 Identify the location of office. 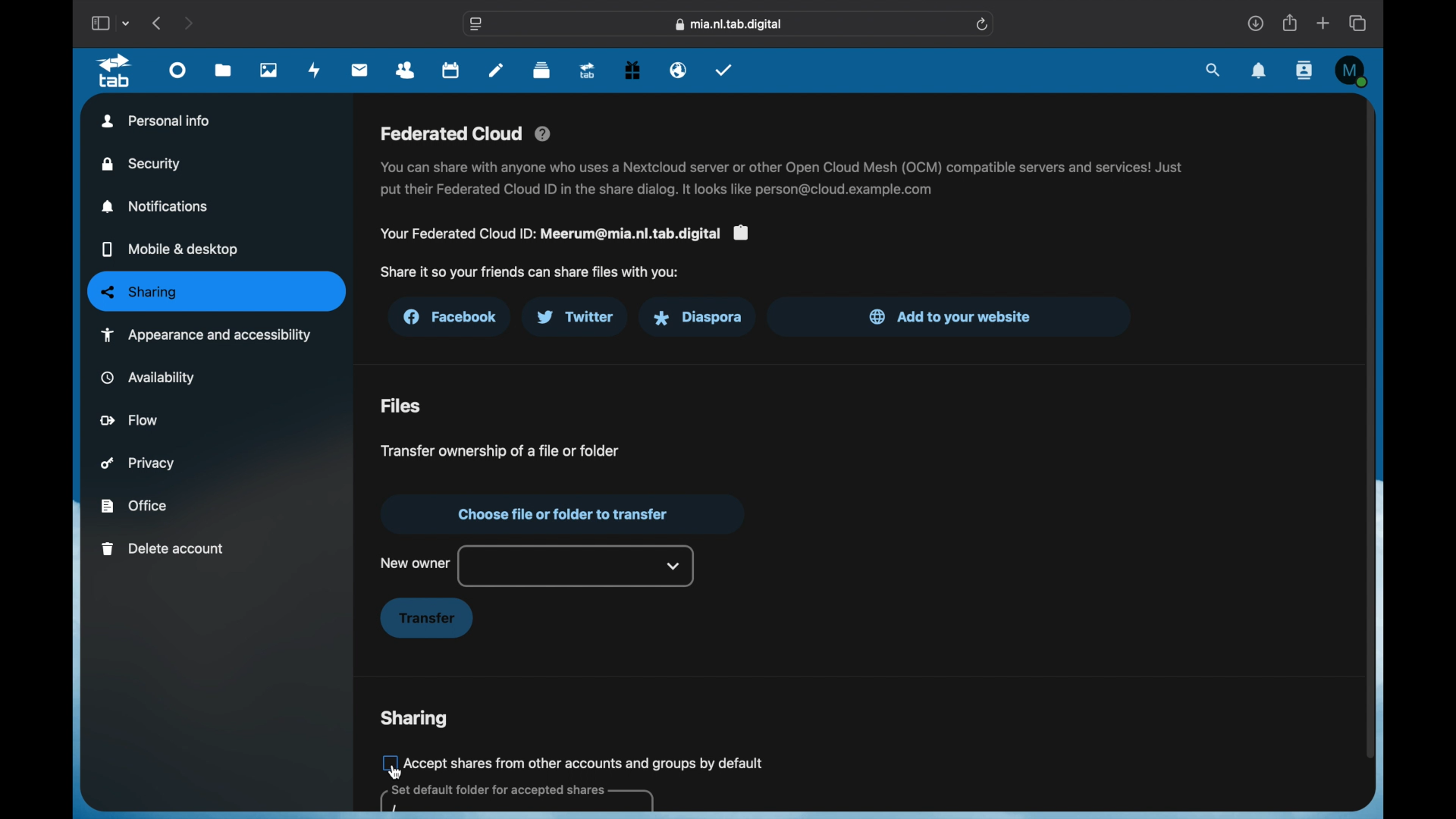
(133, 506).